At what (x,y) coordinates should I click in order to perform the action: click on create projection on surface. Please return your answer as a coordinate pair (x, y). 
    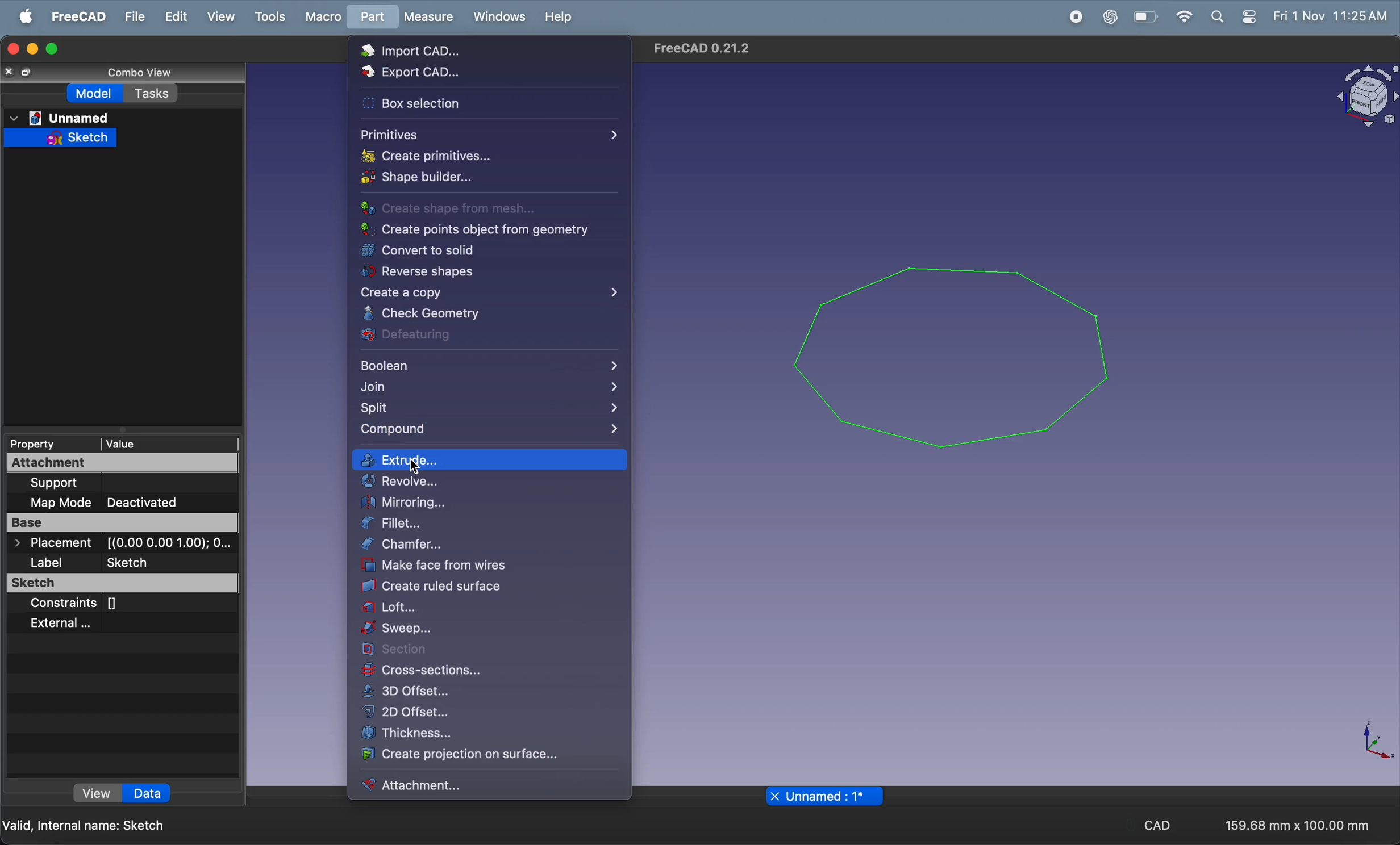
    Looking at the image, I should click on (472, 756).